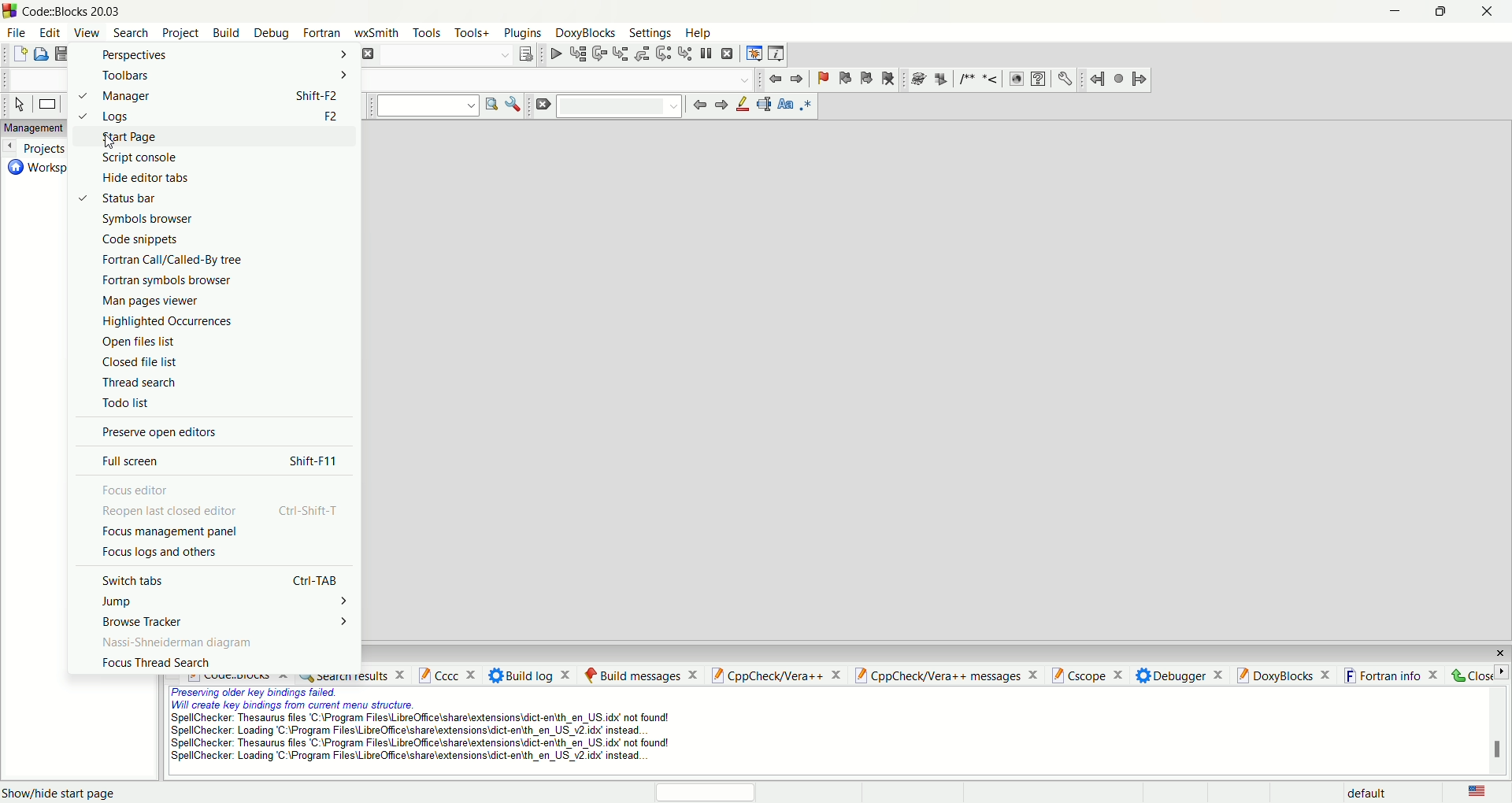 The width and height of the screenshot is (1512, 803). What do you see at coordinates (525, 34) in the screenshot?
I see `plugins` at bounding box center [525, 34].